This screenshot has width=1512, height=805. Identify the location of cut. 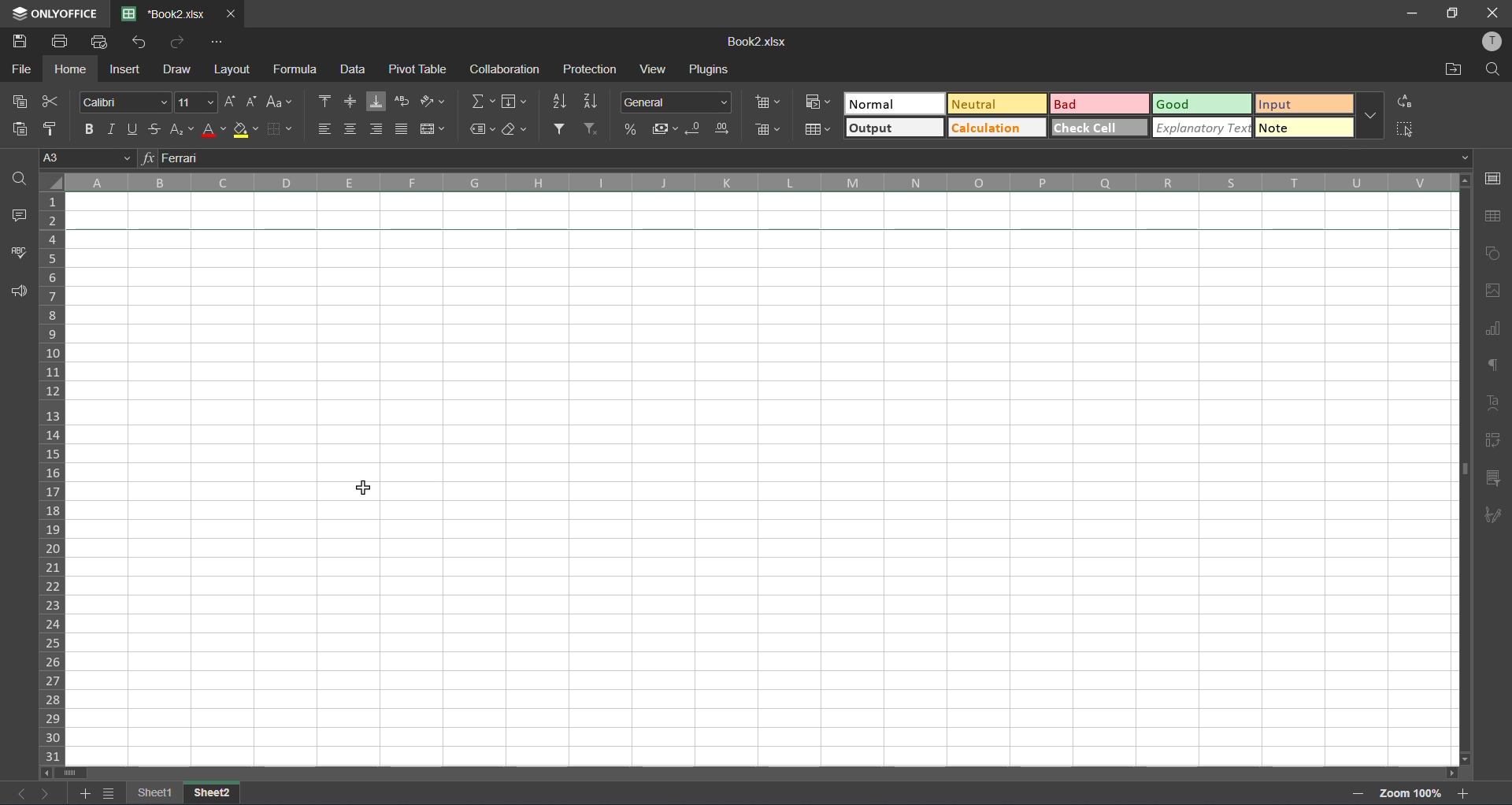
(50, 102).